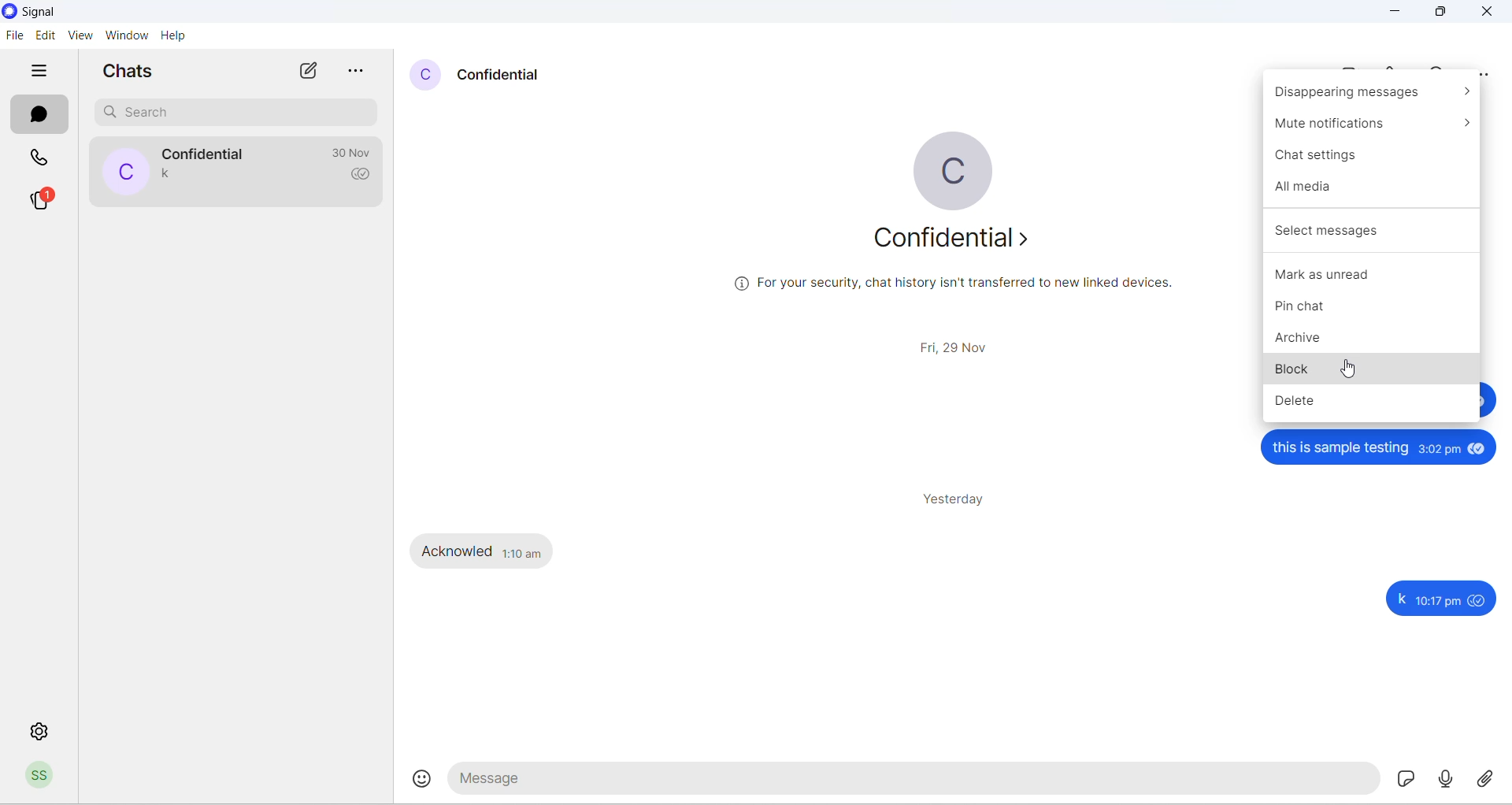  I want to click on hide tabs, so click(36, 69).